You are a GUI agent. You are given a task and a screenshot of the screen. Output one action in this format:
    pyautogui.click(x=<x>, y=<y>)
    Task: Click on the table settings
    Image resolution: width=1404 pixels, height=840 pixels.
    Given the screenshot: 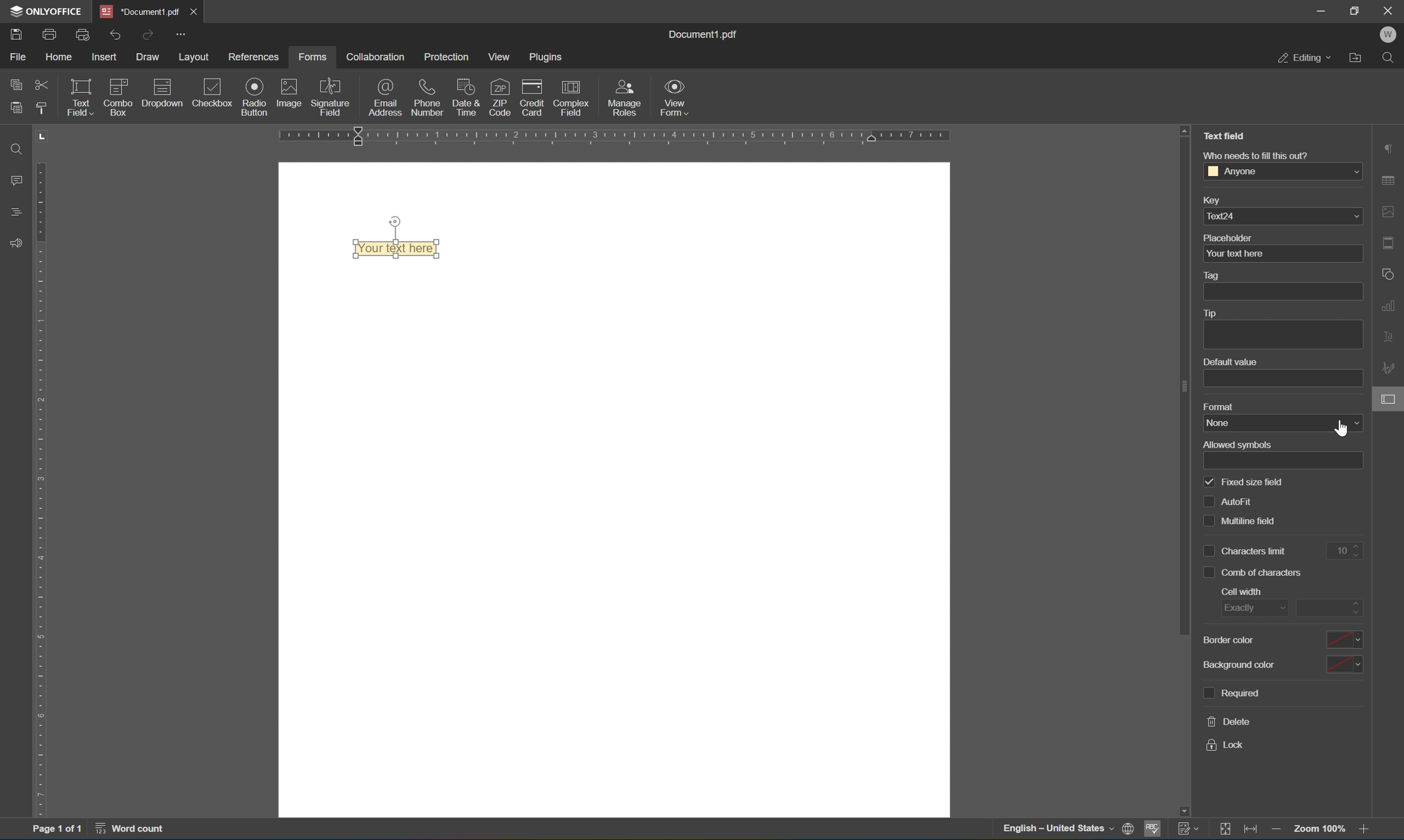 What is the action you would take?
    pyautogui.click(x=1390, y=182)
    